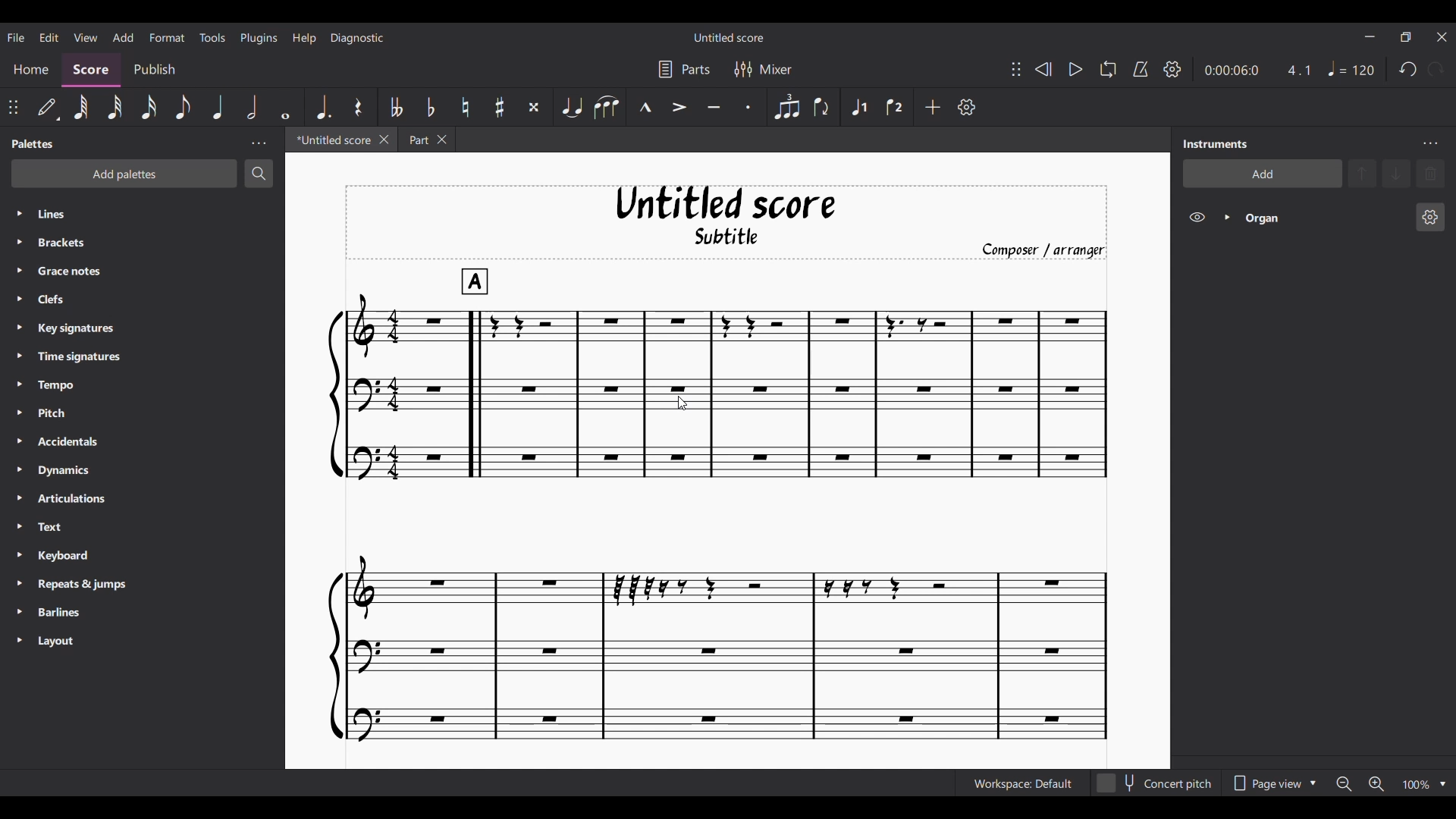 The image size is (1456, 819). Describe the element at coordinates (287, 108) in the screenshot. I see `Whole note` at that location.